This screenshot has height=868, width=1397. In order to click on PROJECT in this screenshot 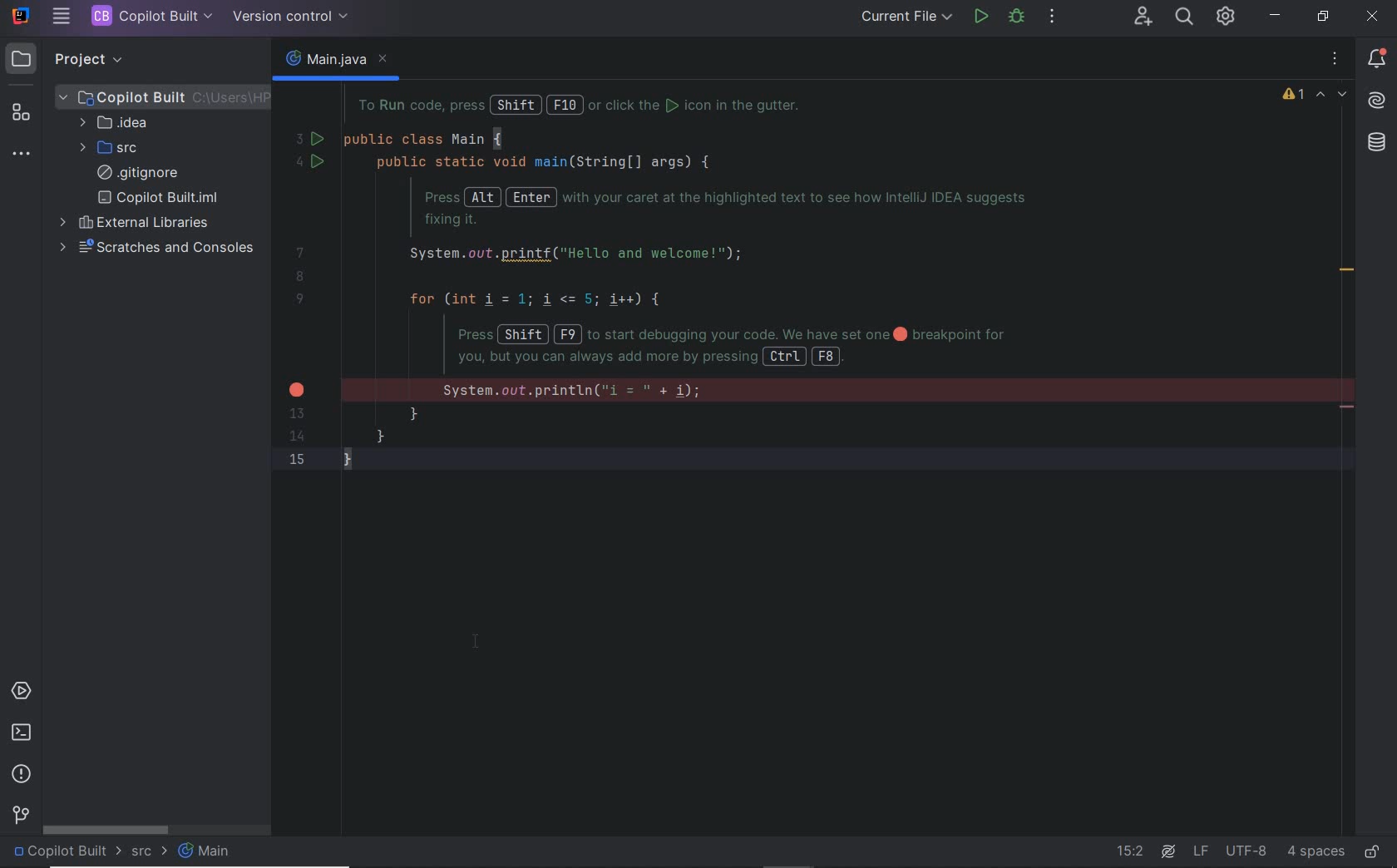, I will do `click(74, 58)`.